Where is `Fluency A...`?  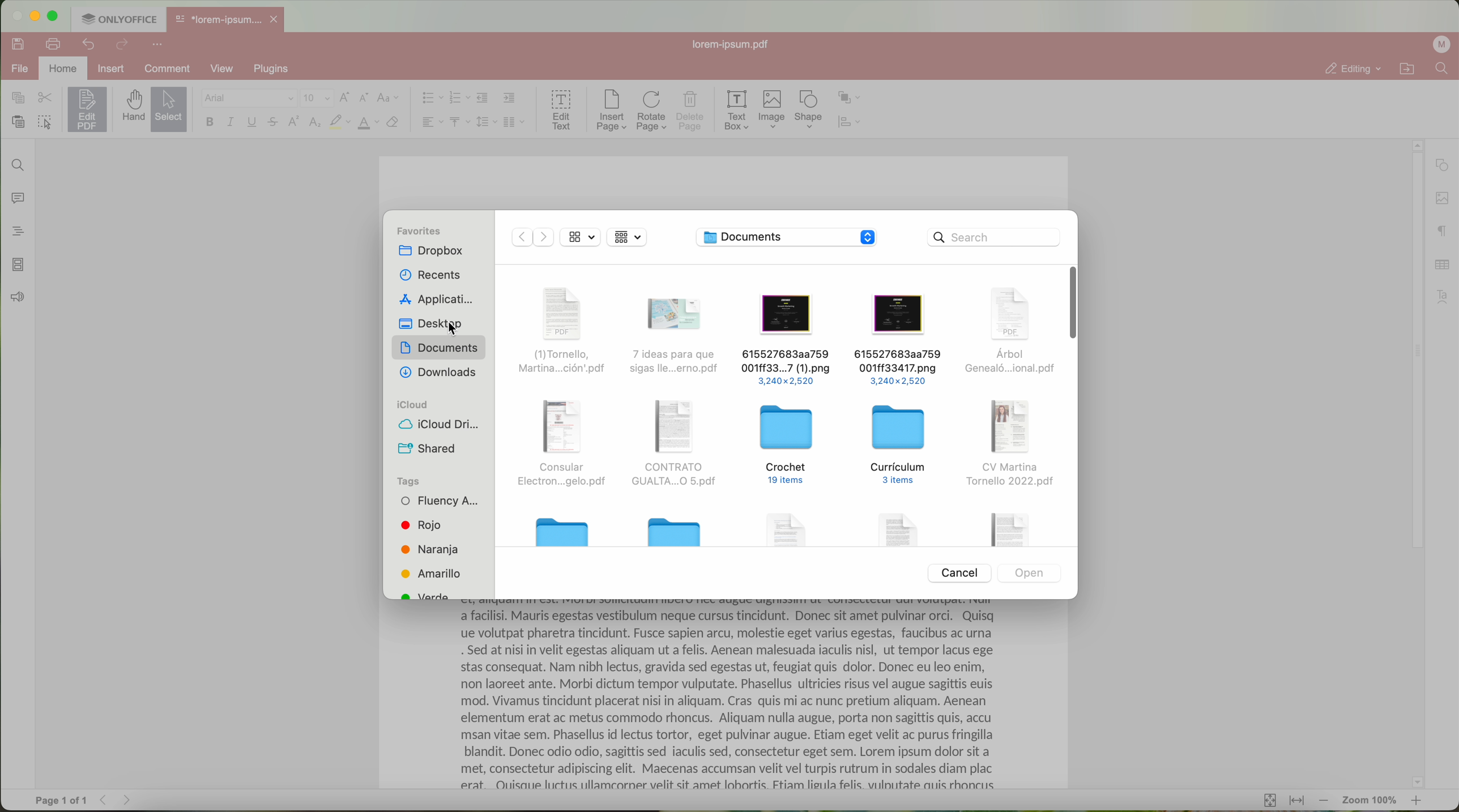 Fluency A... is located at coordinates (440, 502).